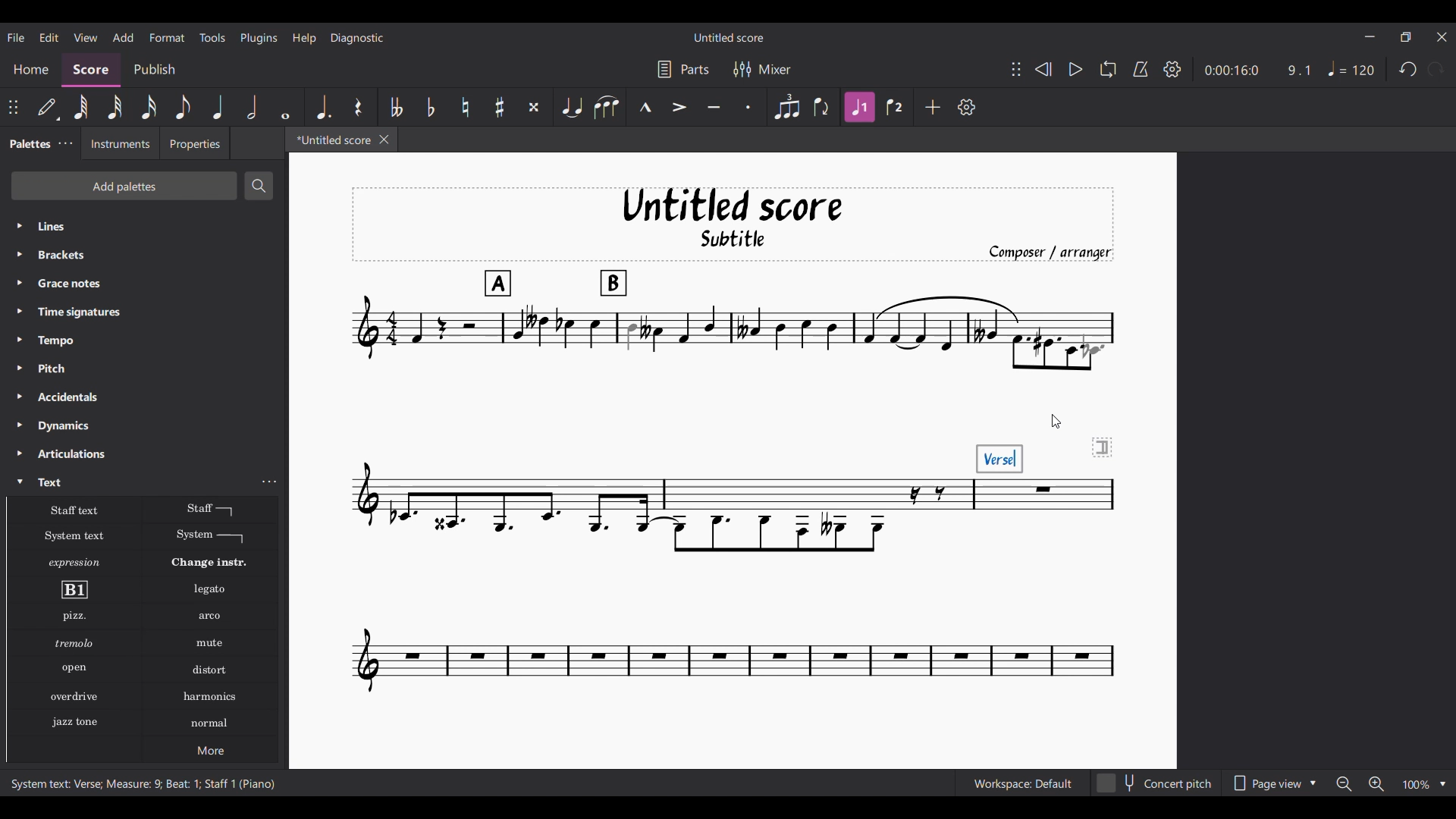  I want to click on Lines, so click(144, 226).